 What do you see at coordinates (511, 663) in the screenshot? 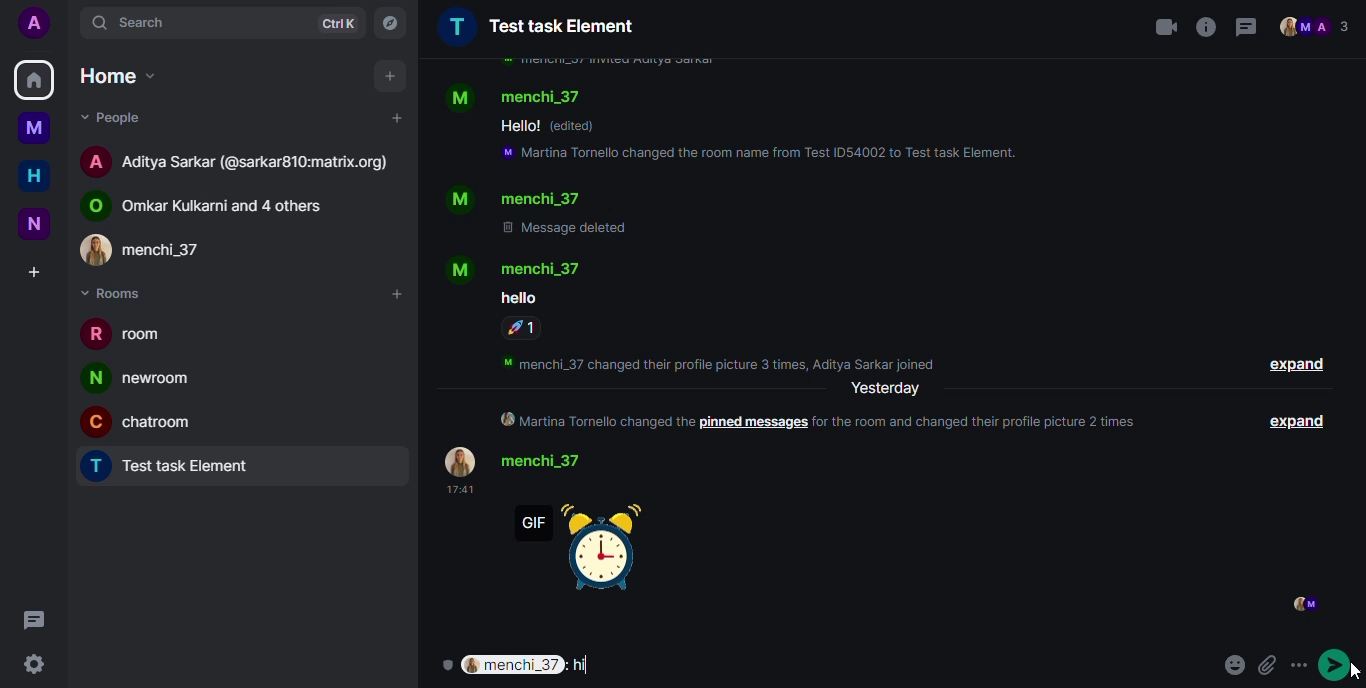
I see `user selected` at bounding box center [511, 663].